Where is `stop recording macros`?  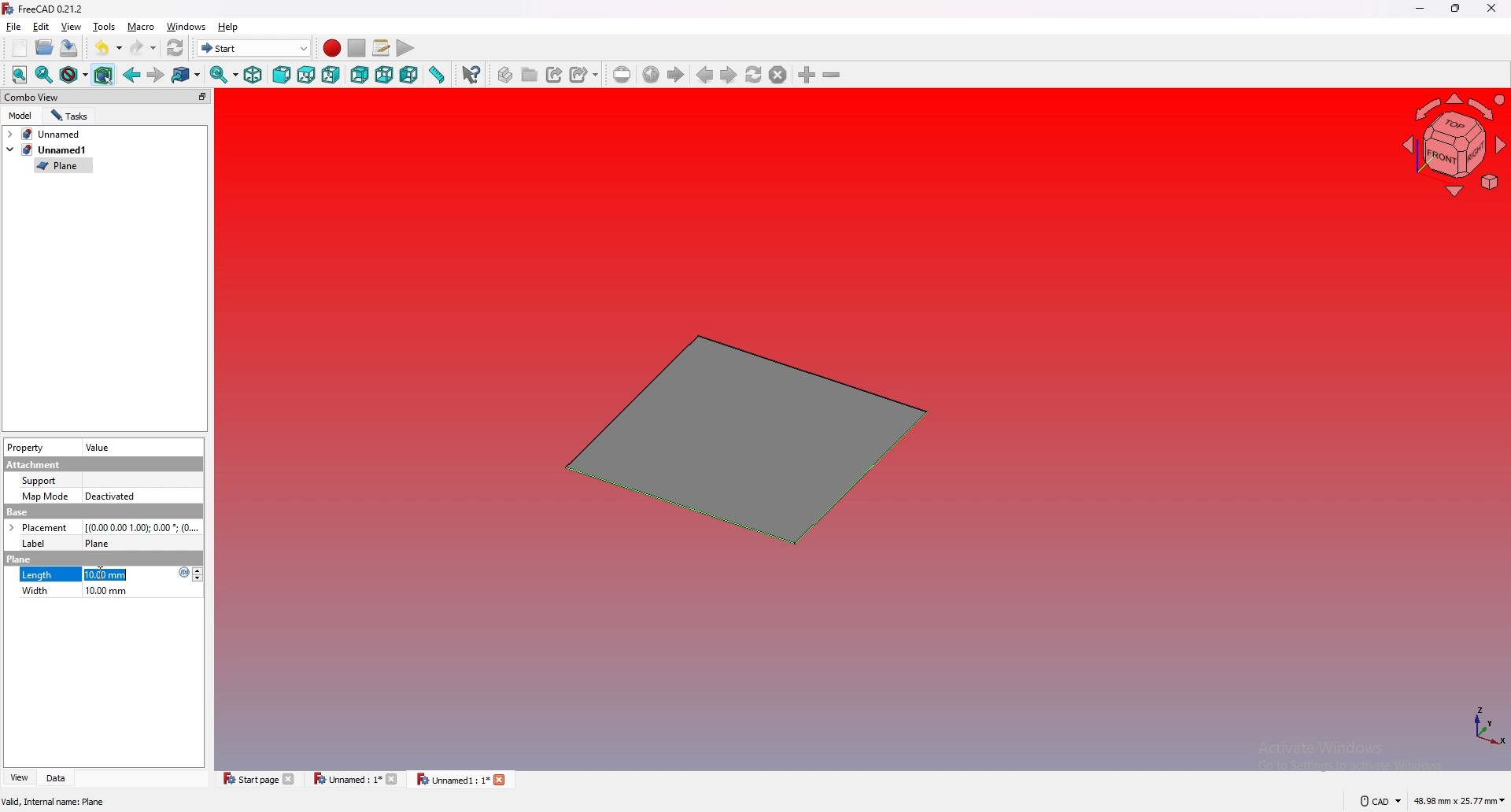
stop recording macros is located at coordinates (357, 48).